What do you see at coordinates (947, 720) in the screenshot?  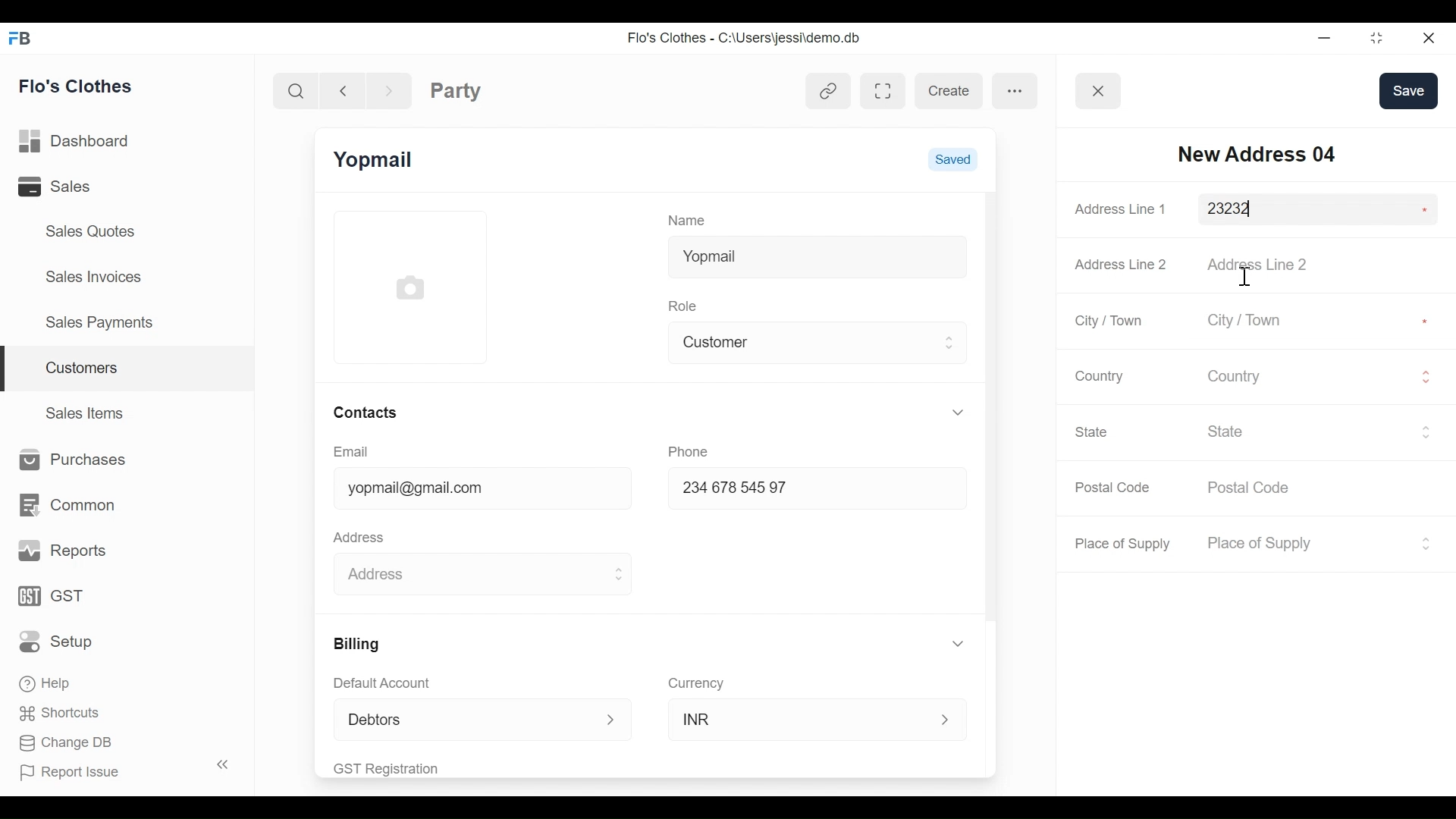 I see `Expand` at bounding box center [947, 720].